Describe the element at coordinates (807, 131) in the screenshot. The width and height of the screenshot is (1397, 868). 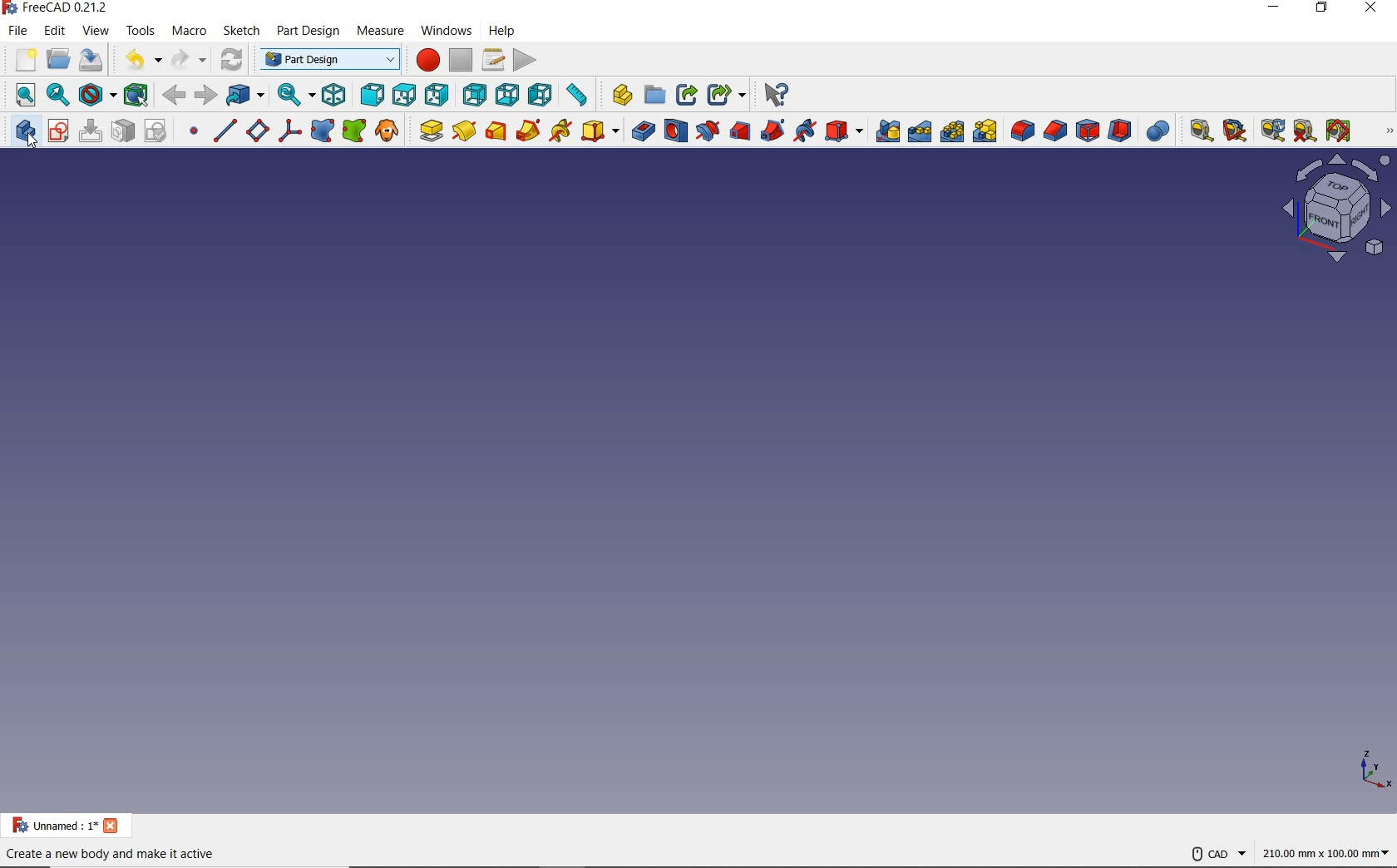
I see `SUBTRACTIVE HELIX` at that location.